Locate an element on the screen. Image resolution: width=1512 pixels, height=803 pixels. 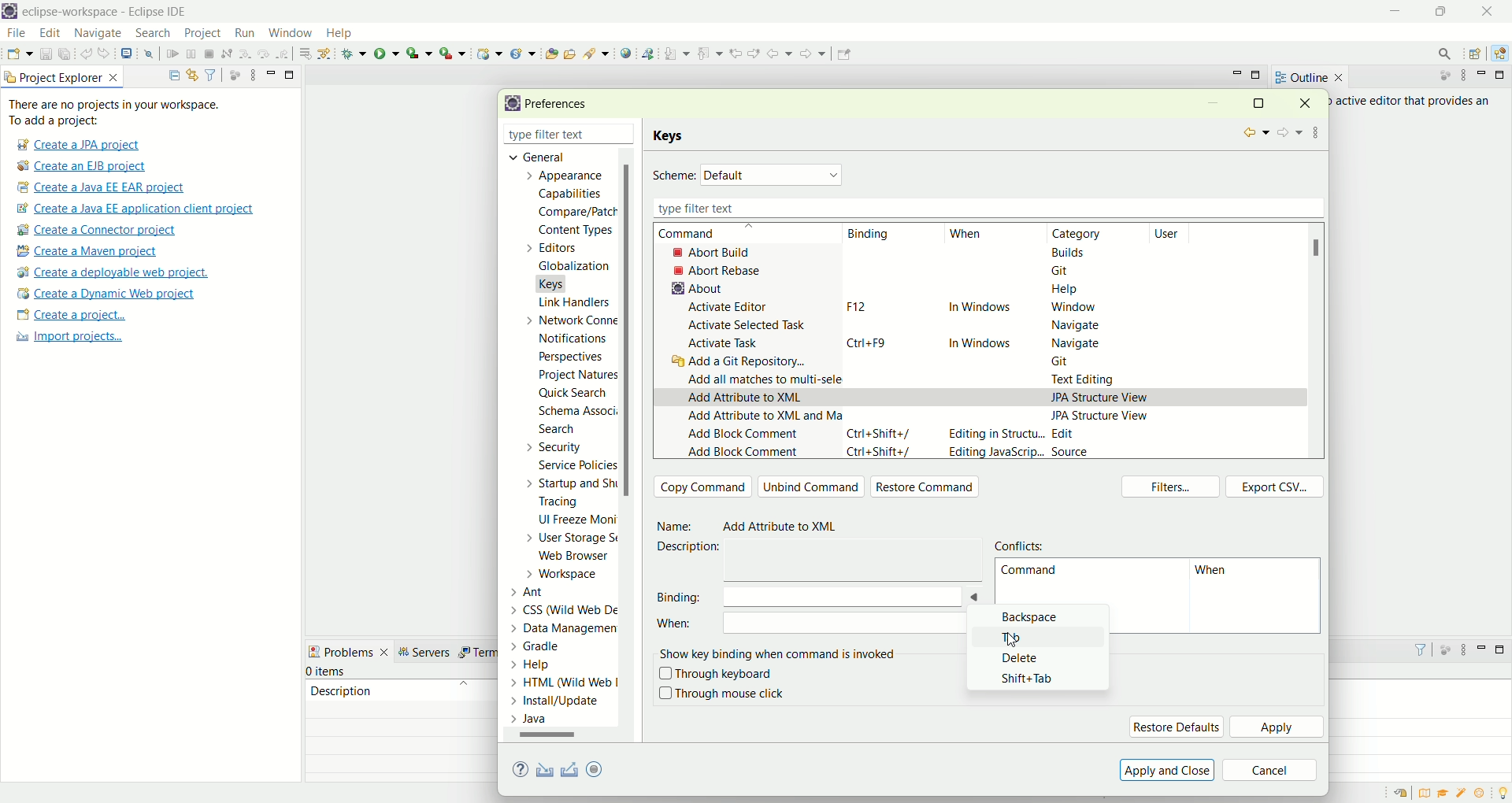
term is located at coordinates (476, 653).